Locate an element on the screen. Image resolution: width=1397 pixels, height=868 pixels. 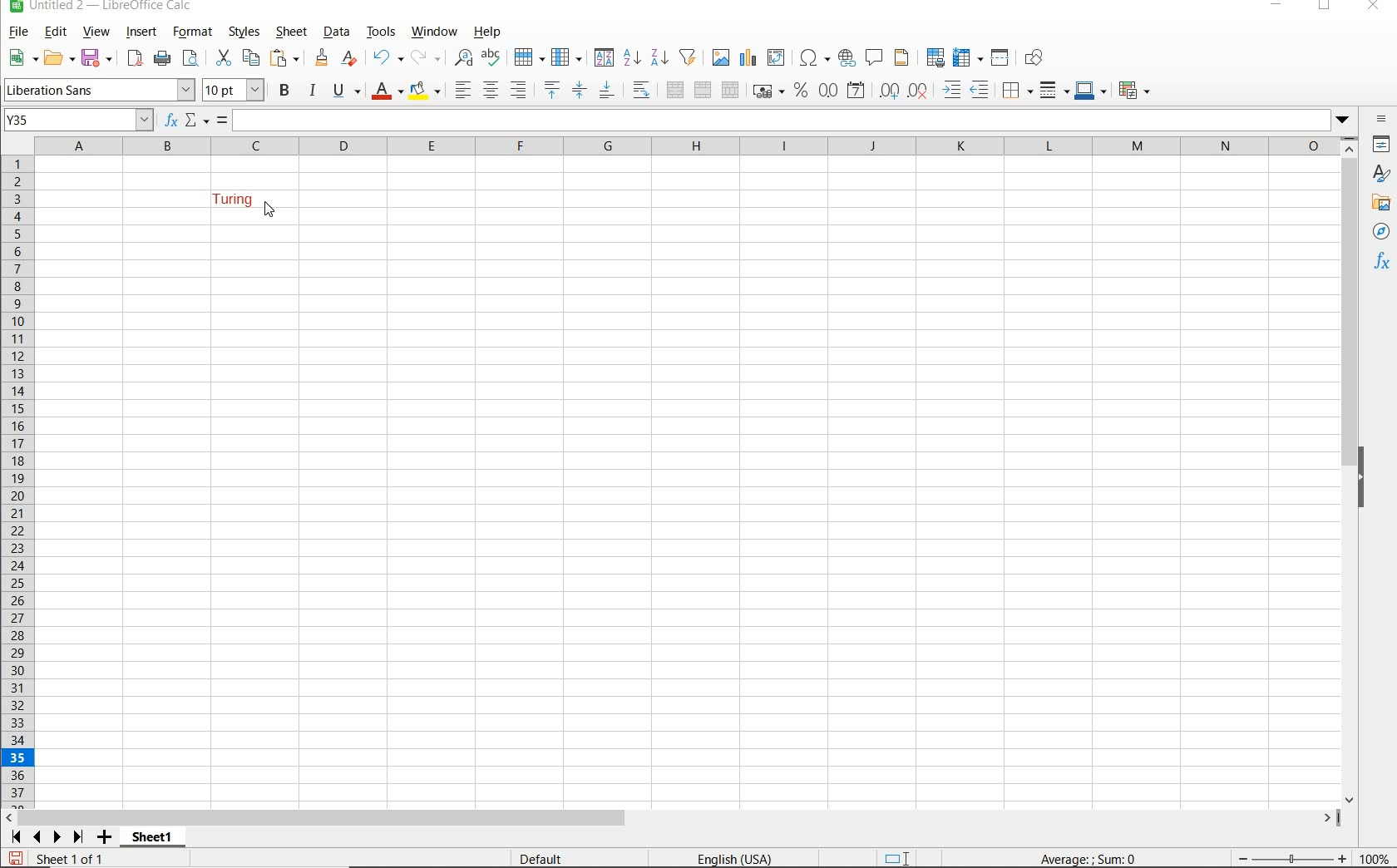
ALIGN BOTTOM is located at coordinates (608, 91).